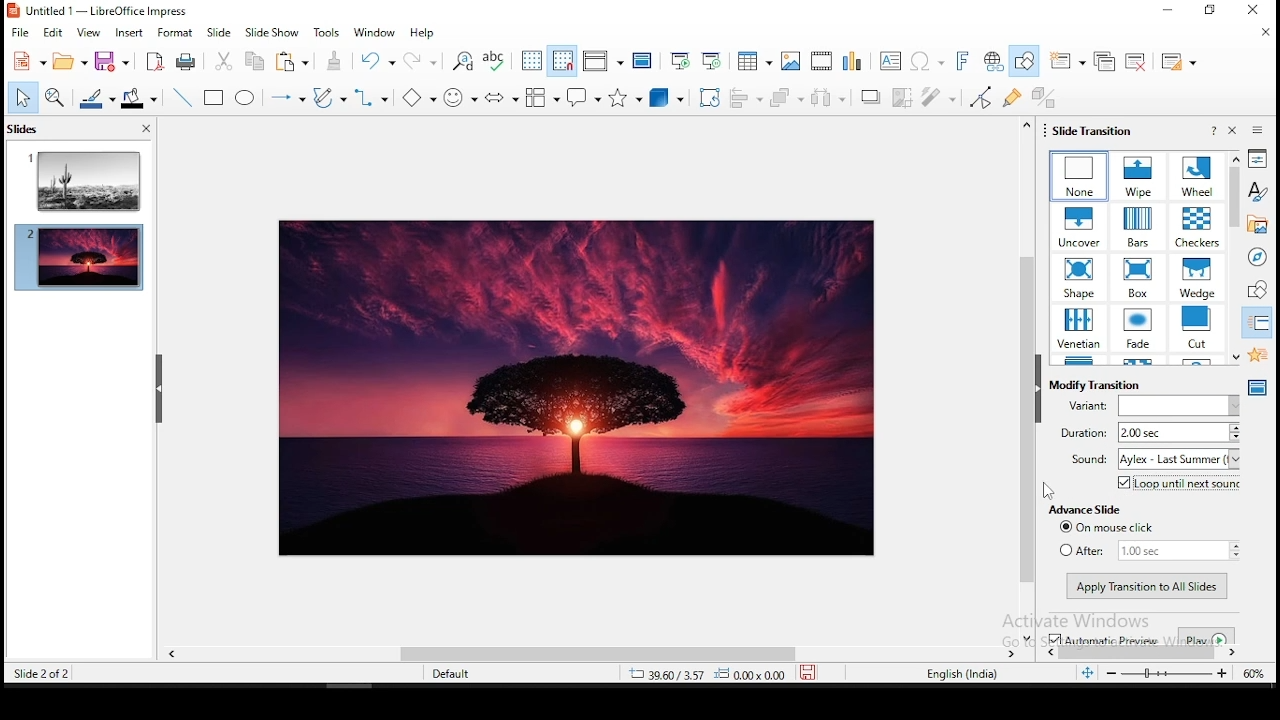  What do you see at coordinates (84, 31) in the screenshot?
I see `view` at bounding box center [84, 31].